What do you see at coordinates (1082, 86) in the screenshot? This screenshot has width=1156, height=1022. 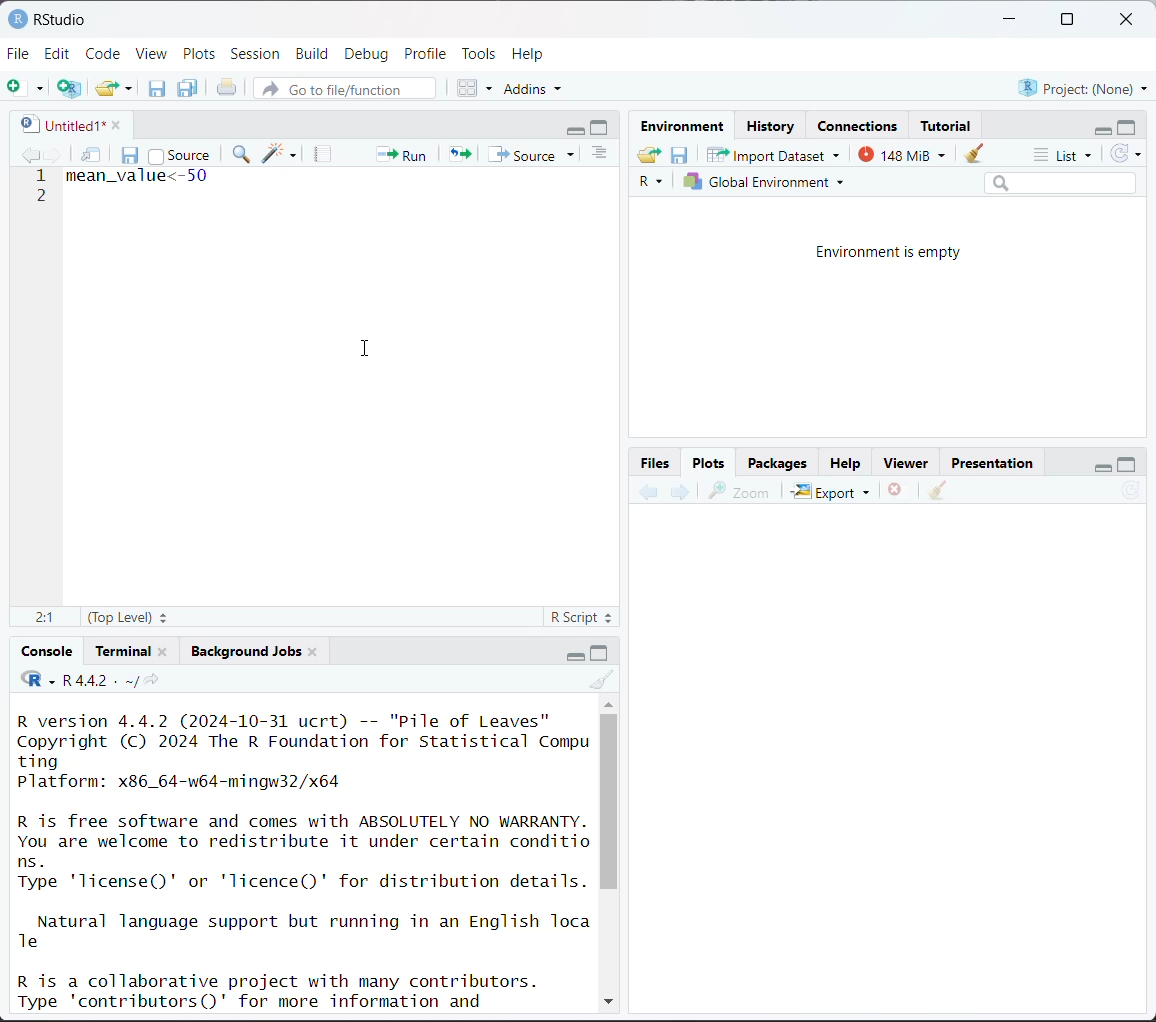 I see `Project:(None)` at bounding box center [1082, 86].